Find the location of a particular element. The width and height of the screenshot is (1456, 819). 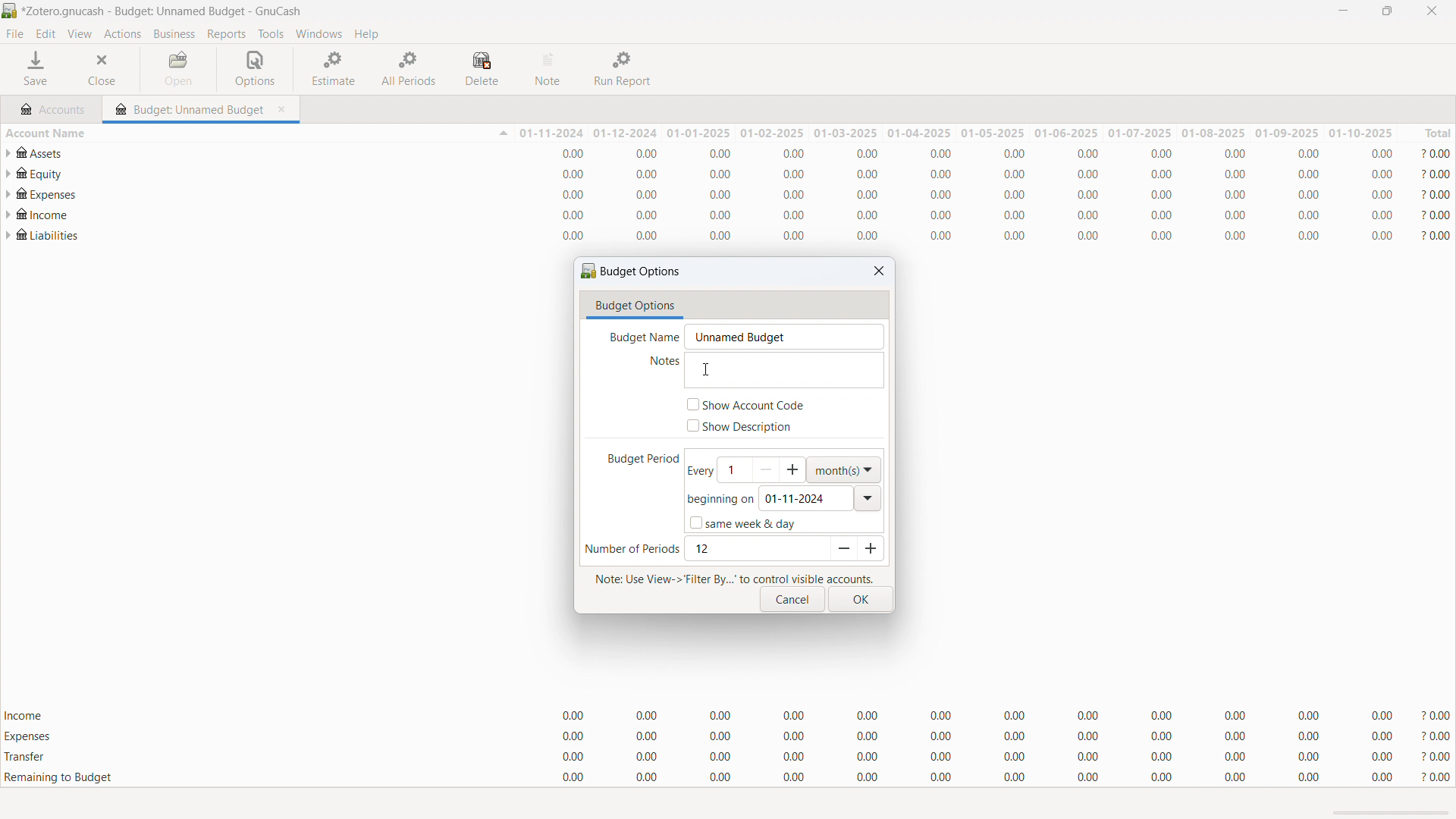

options is located at coordinates (255, 69).